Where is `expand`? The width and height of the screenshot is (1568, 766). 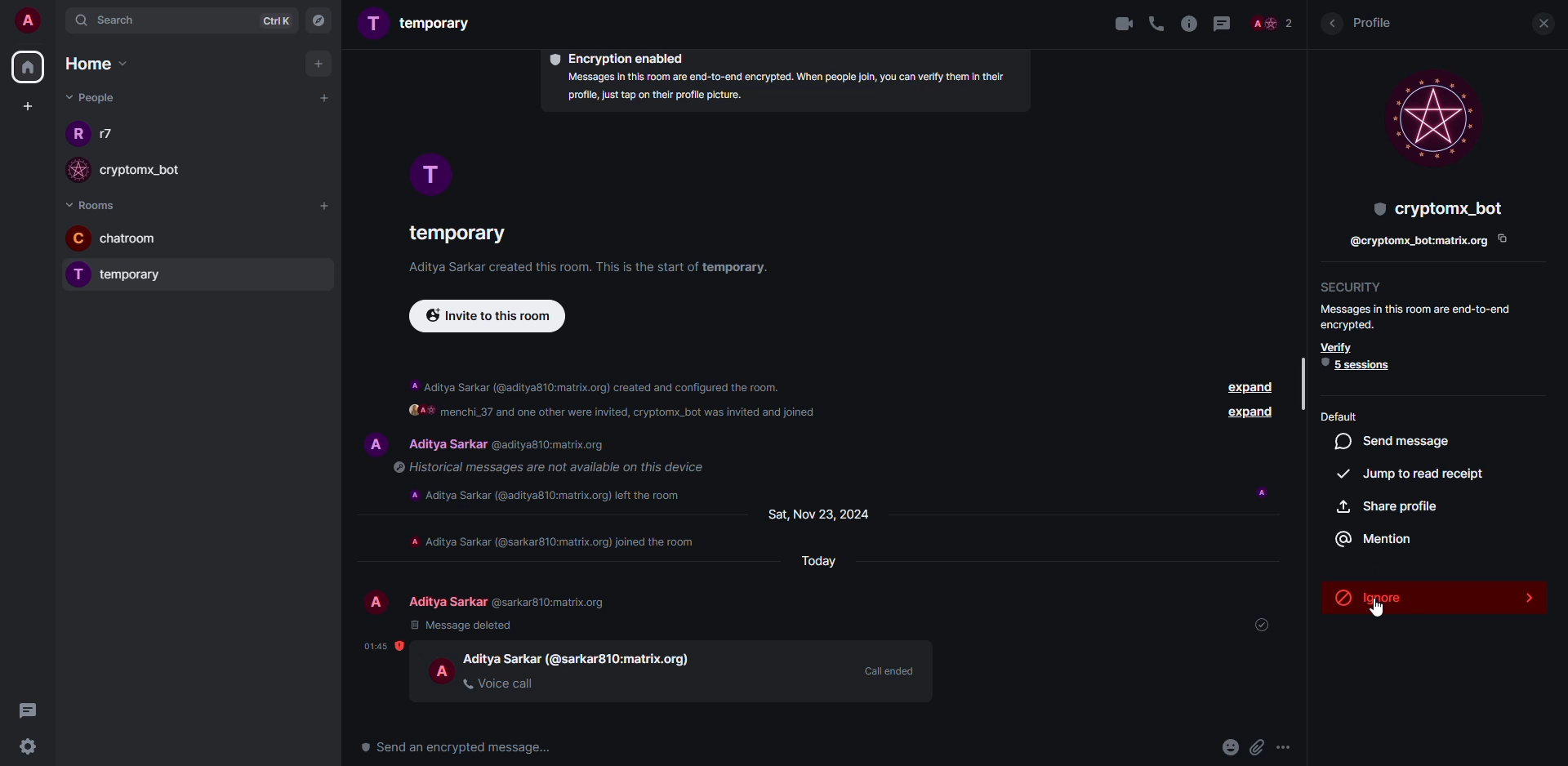
expand is located at coordinates (1251, 413).